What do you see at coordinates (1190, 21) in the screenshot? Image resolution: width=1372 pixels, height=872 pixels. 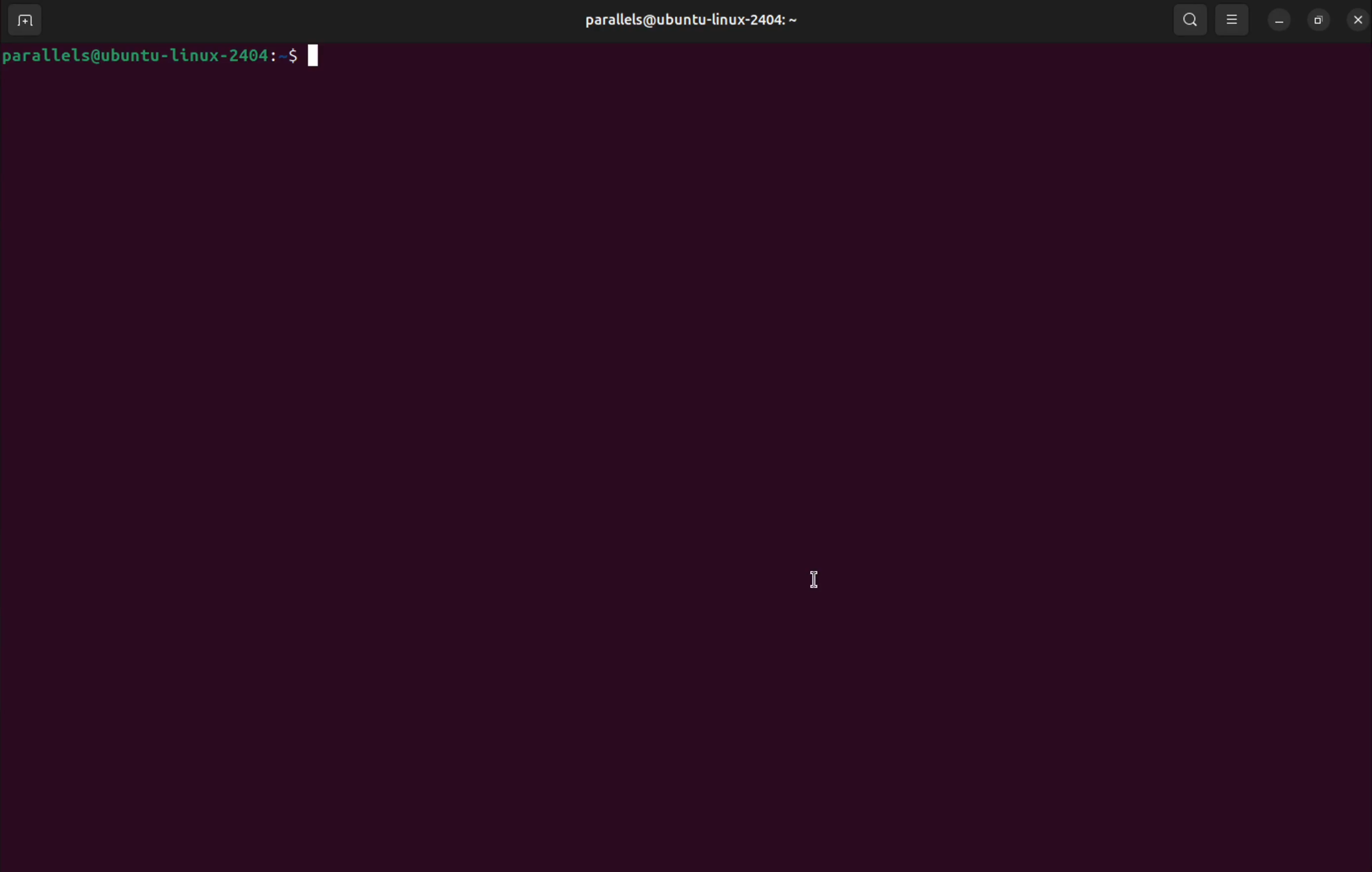 I see `search` at bounding box center [1190, 21].